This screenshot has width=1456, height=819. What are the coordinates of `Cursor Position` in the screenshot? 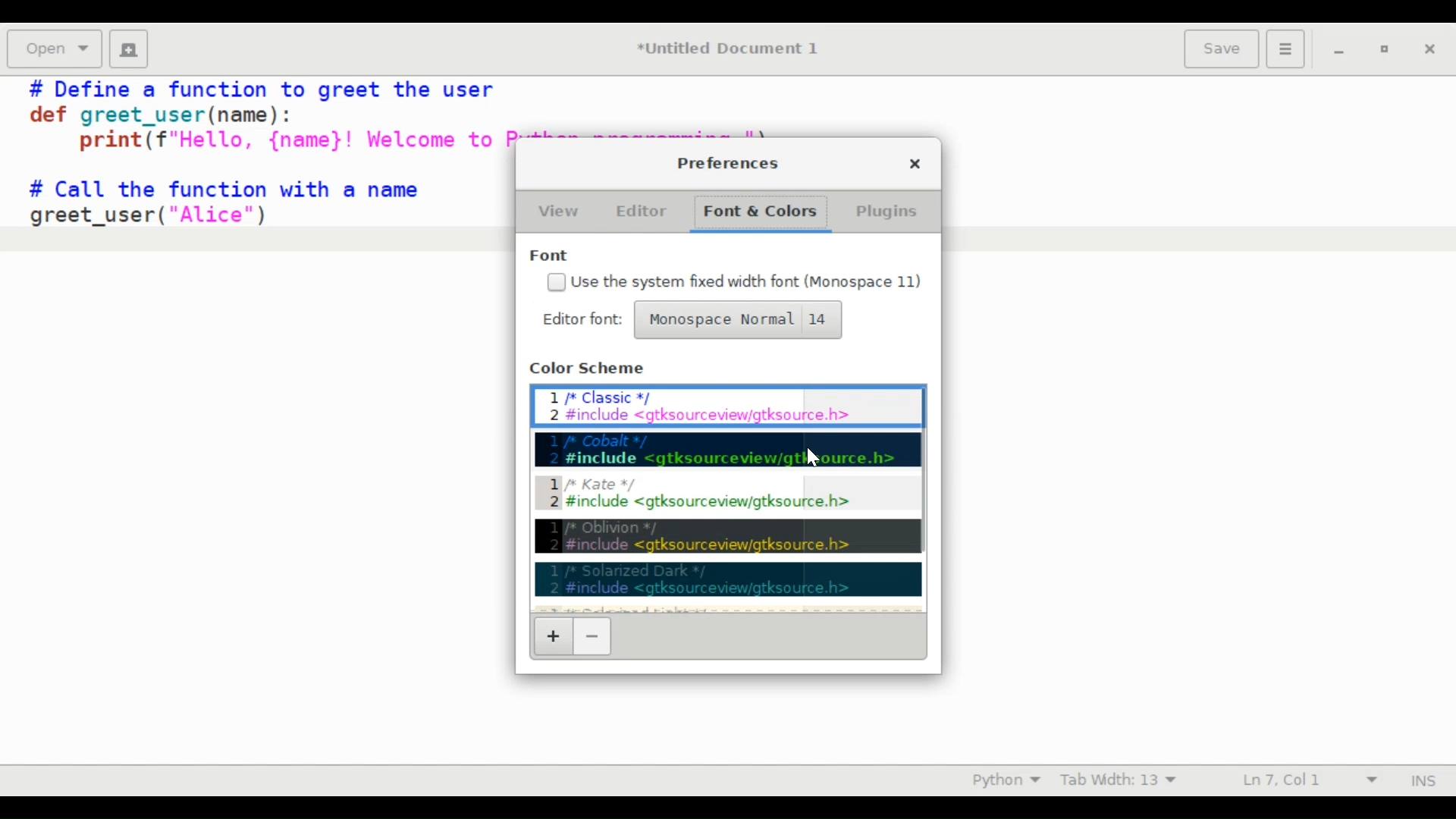 It's located at (1280, 779).